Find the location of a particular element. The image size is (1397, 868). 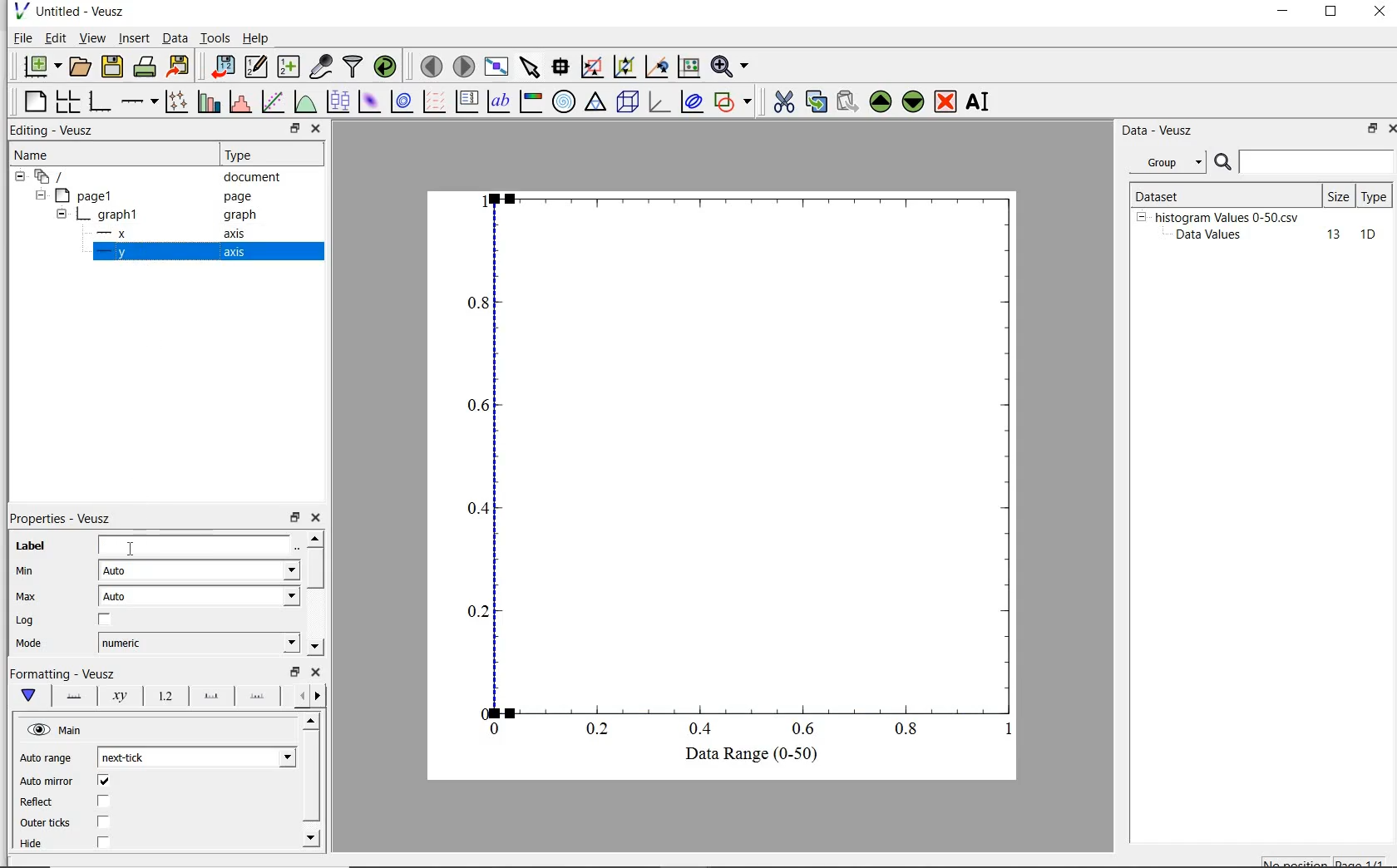

click to reset graph axes is located at coordinates (591, 67).